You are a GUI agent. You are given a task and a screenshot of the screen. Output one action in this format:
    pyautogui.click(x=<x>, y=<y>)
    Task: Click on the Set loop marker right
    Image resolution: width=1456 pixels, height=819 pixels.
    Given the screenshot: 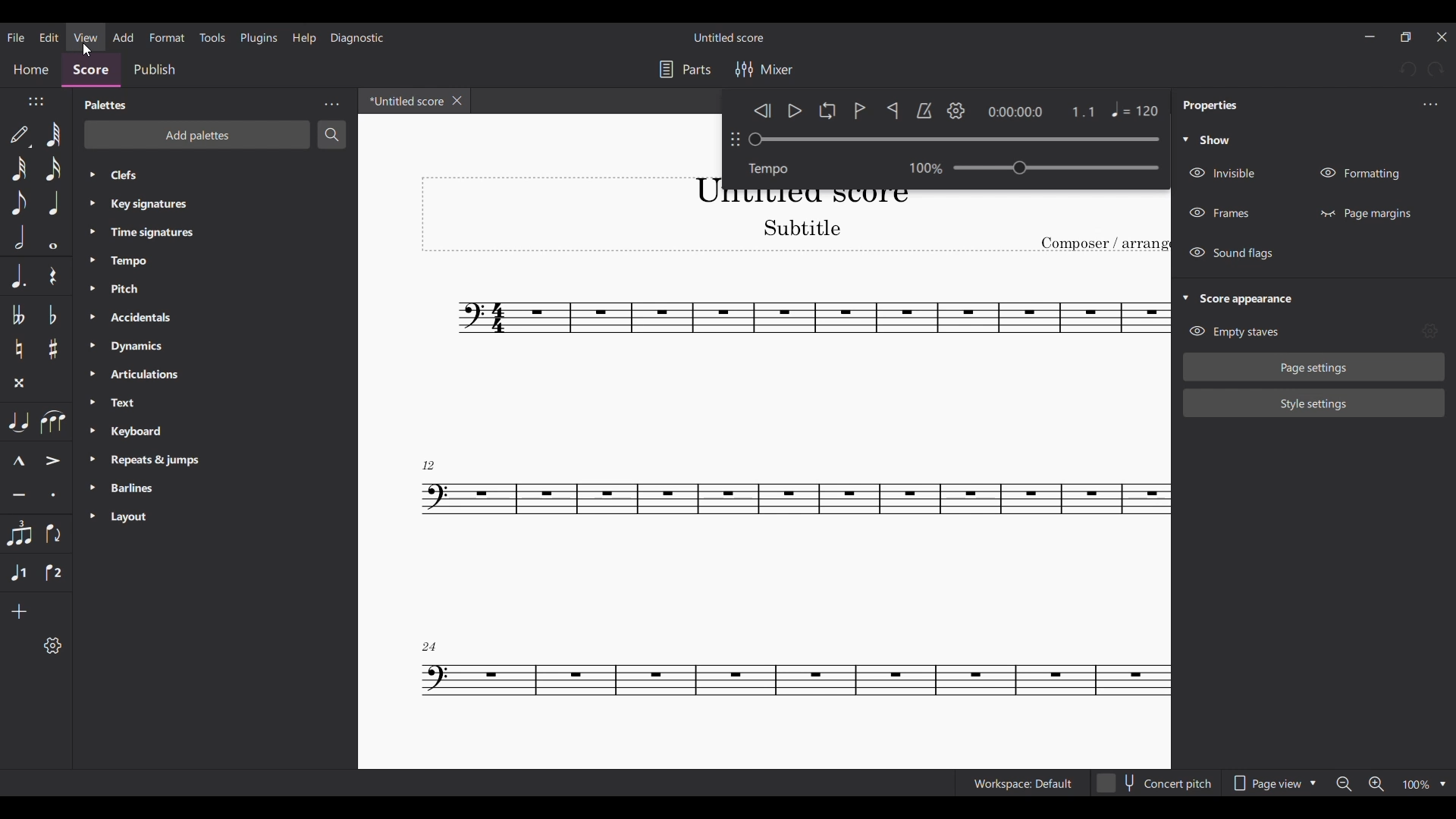 What is the action you would take?
    pyautogui.click(x=892, y=110)
    